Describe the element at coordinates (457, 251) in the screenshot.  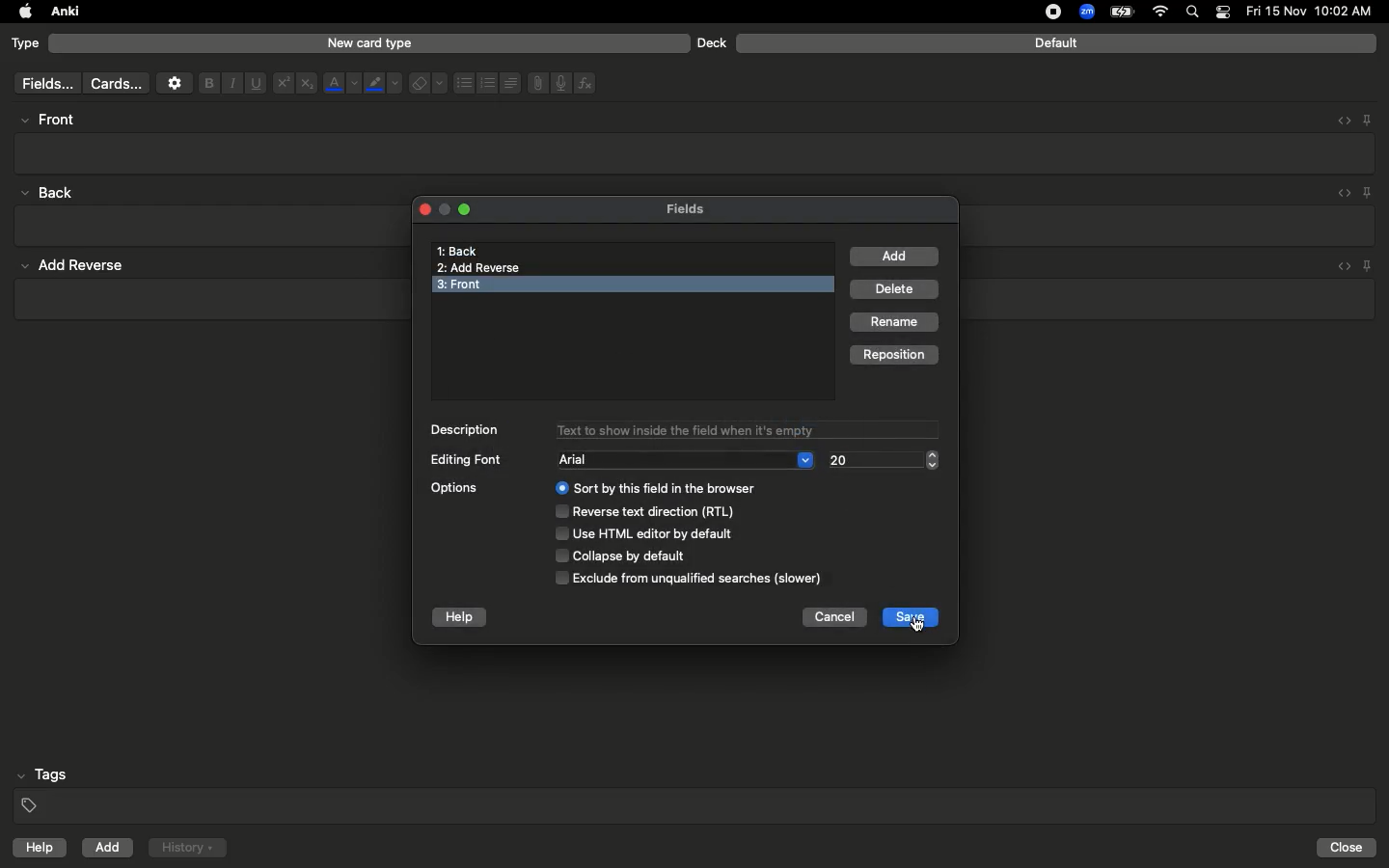
I see `back` at that location.